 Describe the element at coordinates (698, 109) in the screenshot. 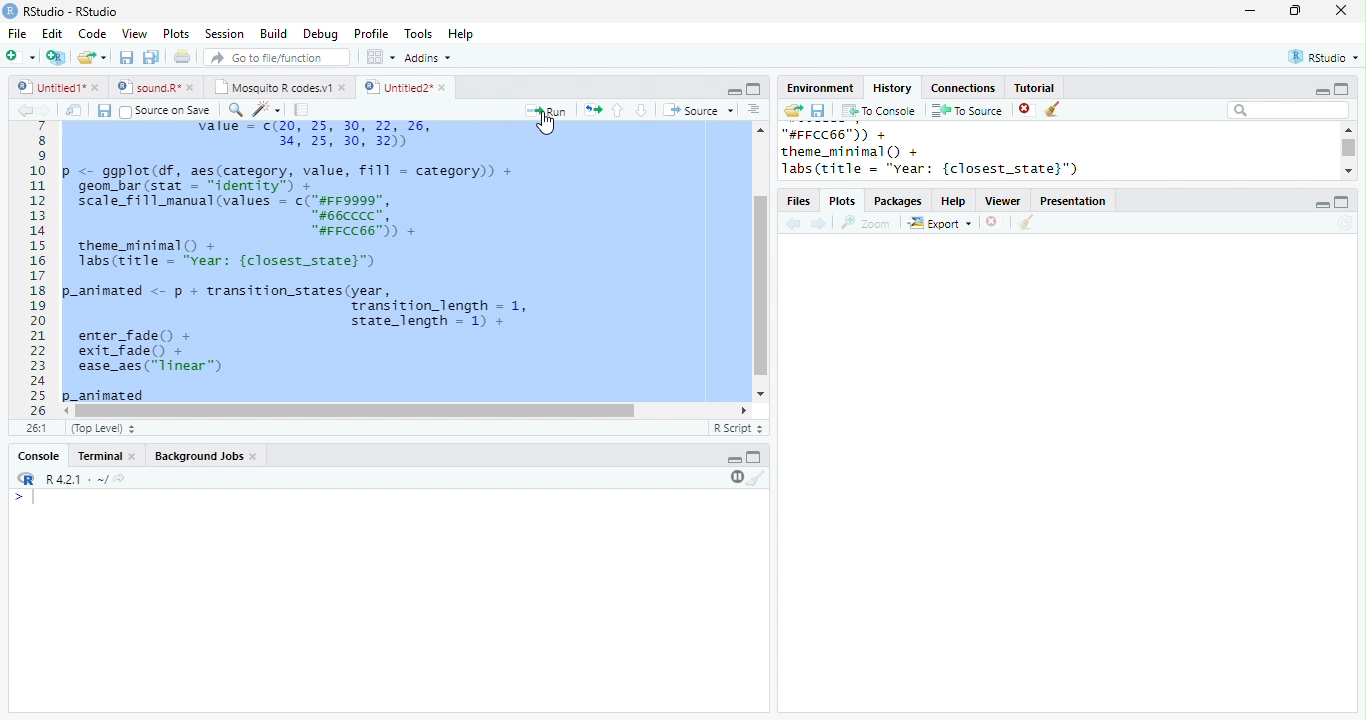

I see `Source` at that location.